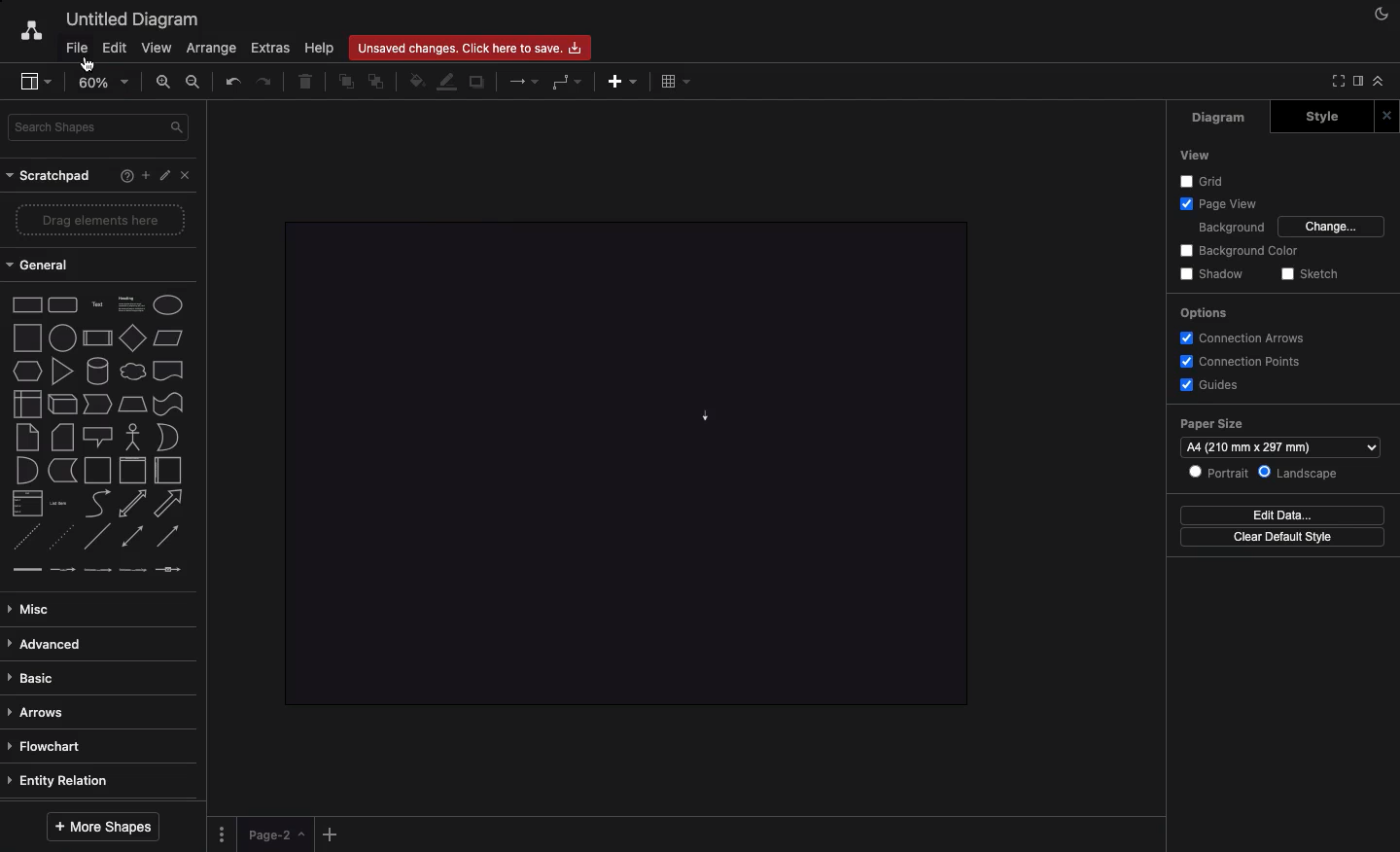  I want to click on Options, so click(1203, 315).